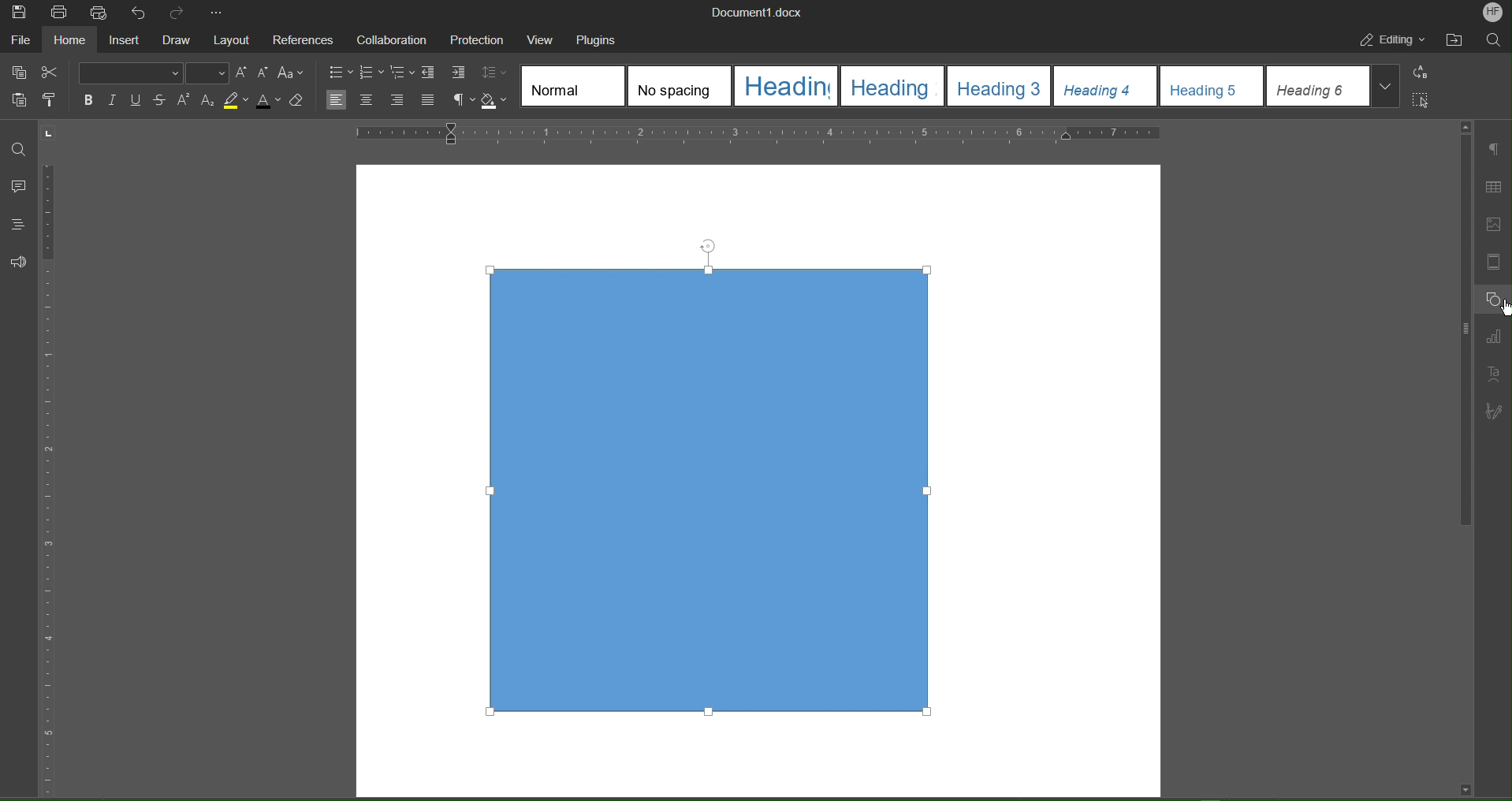 The image size is (1512, 801). I want to click on Scroll down, so click(1460, 788).